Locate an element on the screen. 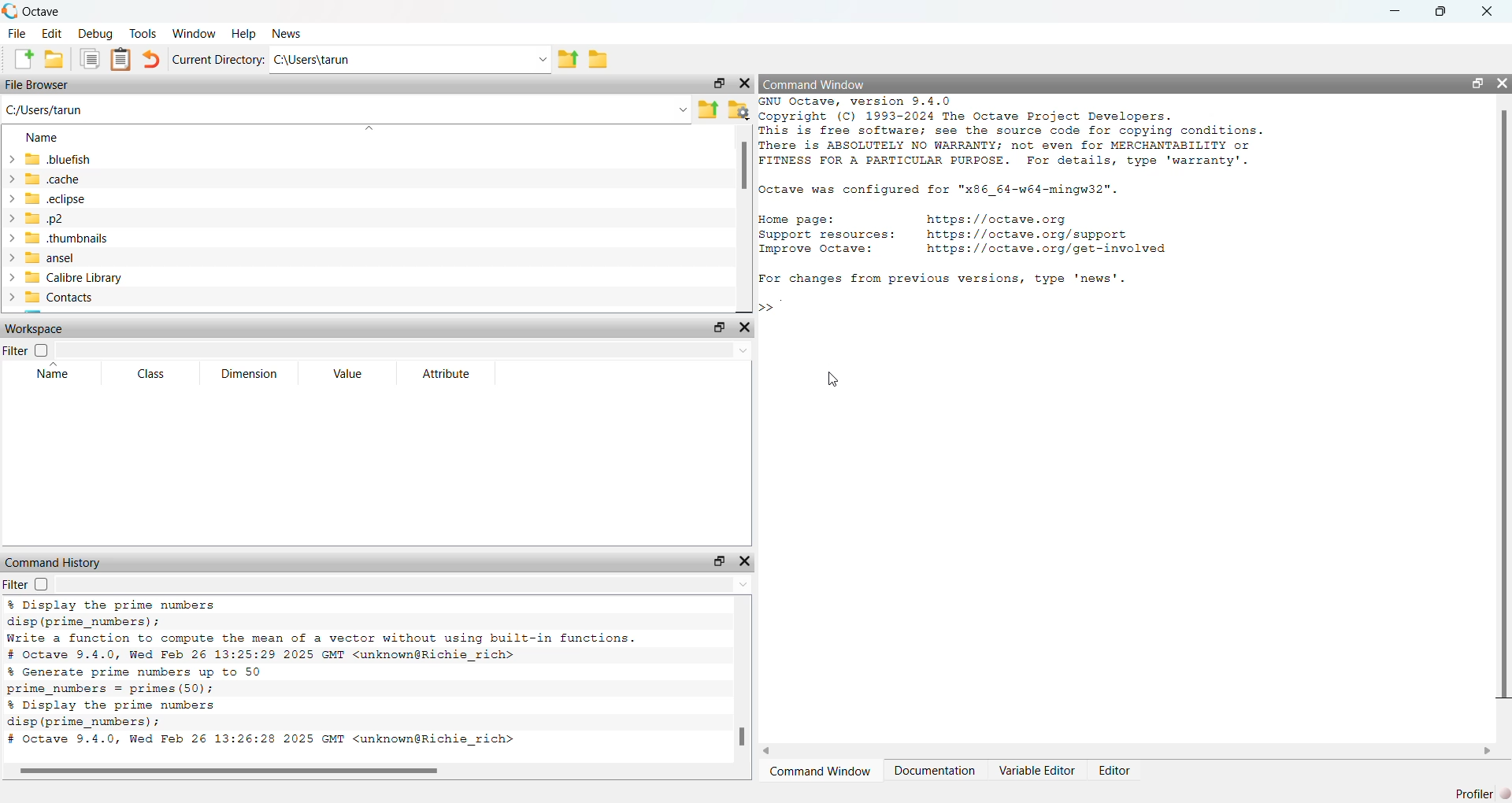 The width and height of the screenshot is (1512, 803). Profiler is located at coordinates (1483, 794).